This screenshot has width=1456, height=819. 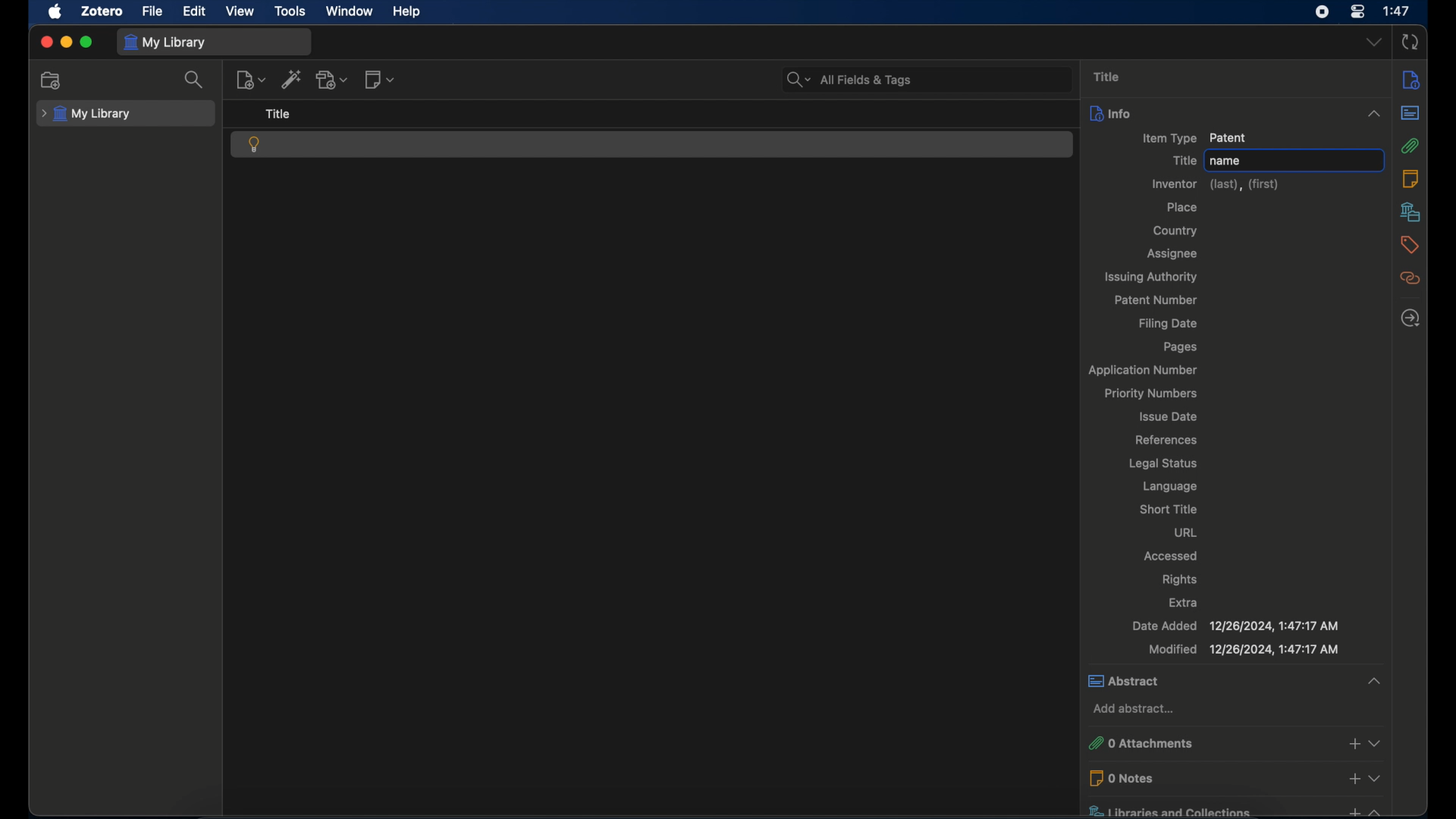 I want to click on apple, so click(x=54, y=11).